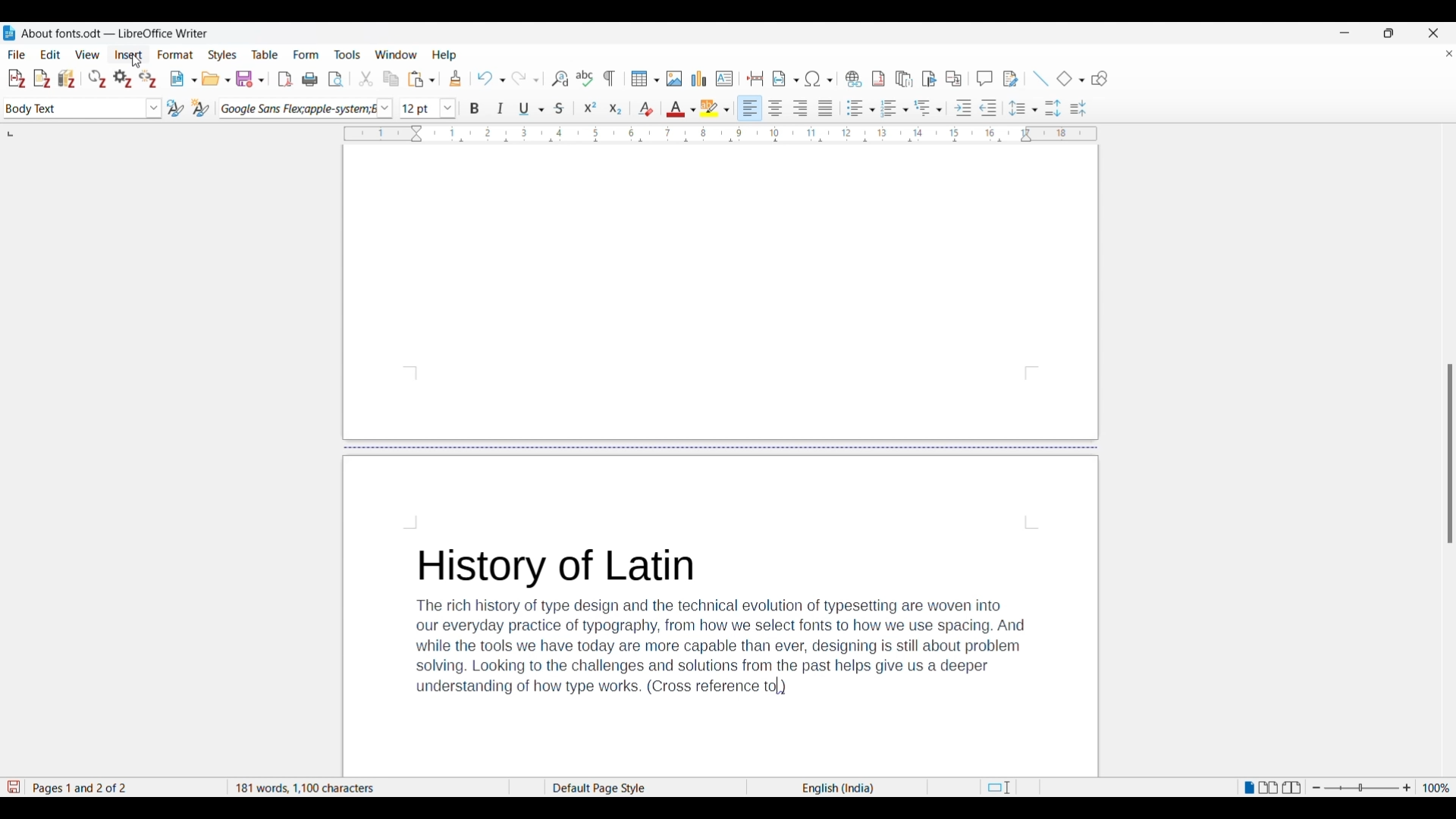 Image resolution: width=1456 pixels, height=819 pixels. I want to click on Insert endnote, so click(904, 80).